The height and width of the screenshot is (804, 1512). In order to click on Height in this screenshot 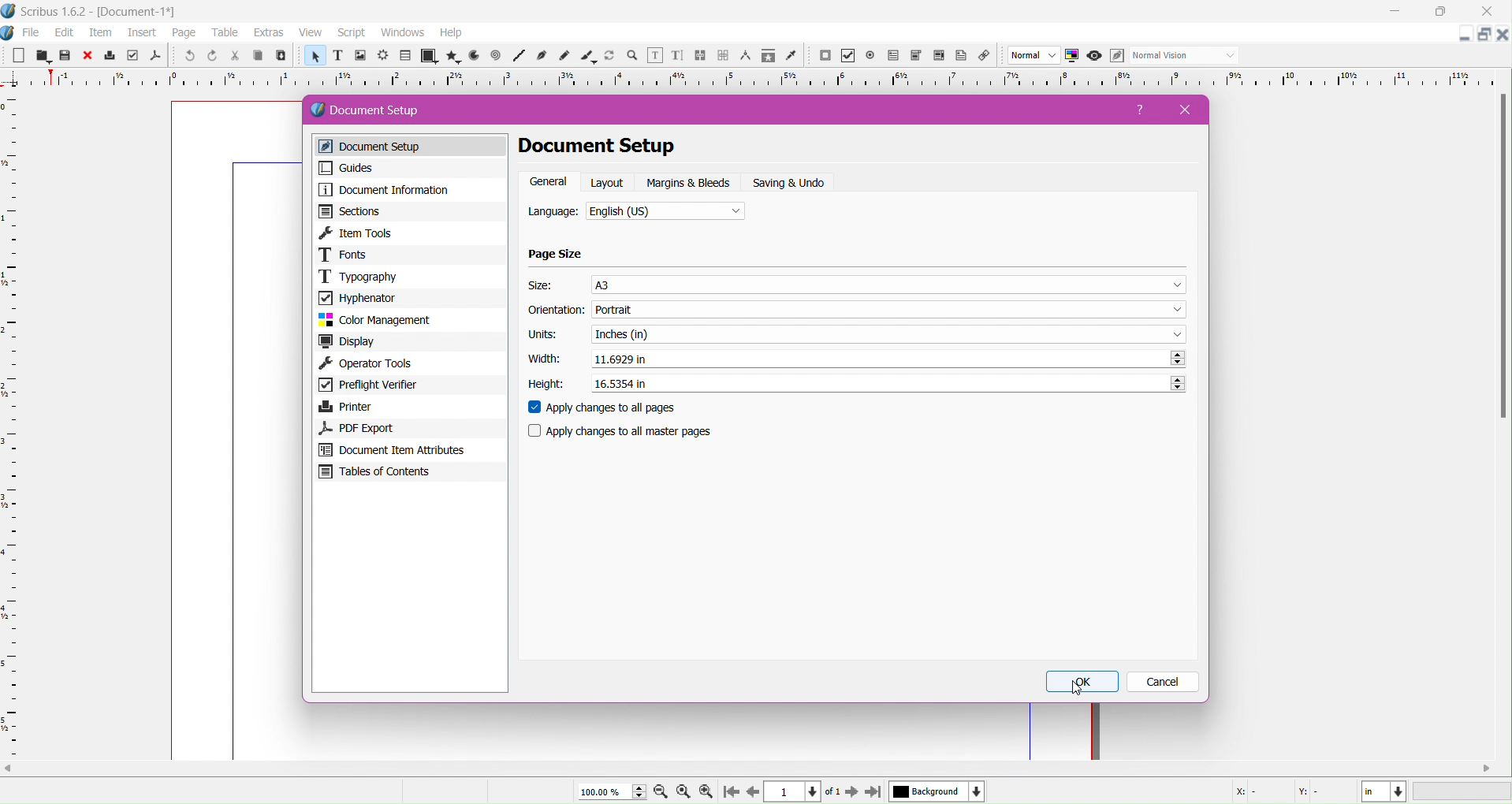, I will do `click(546, 385)`.